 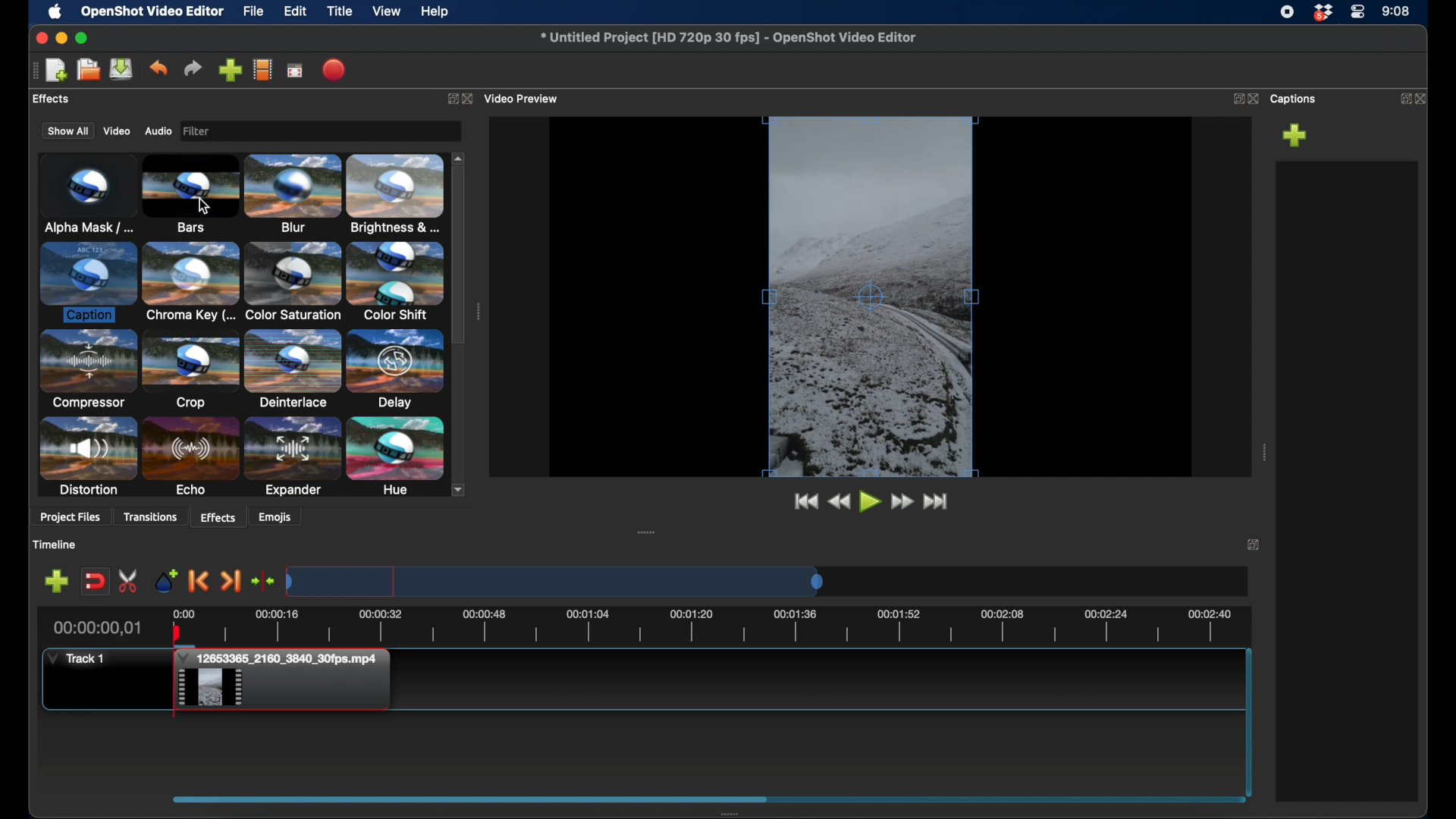 What do you see at coordinates (460, 156) in the screenshot?
I see `scroll up arrow` at bounding box center [460, 156].